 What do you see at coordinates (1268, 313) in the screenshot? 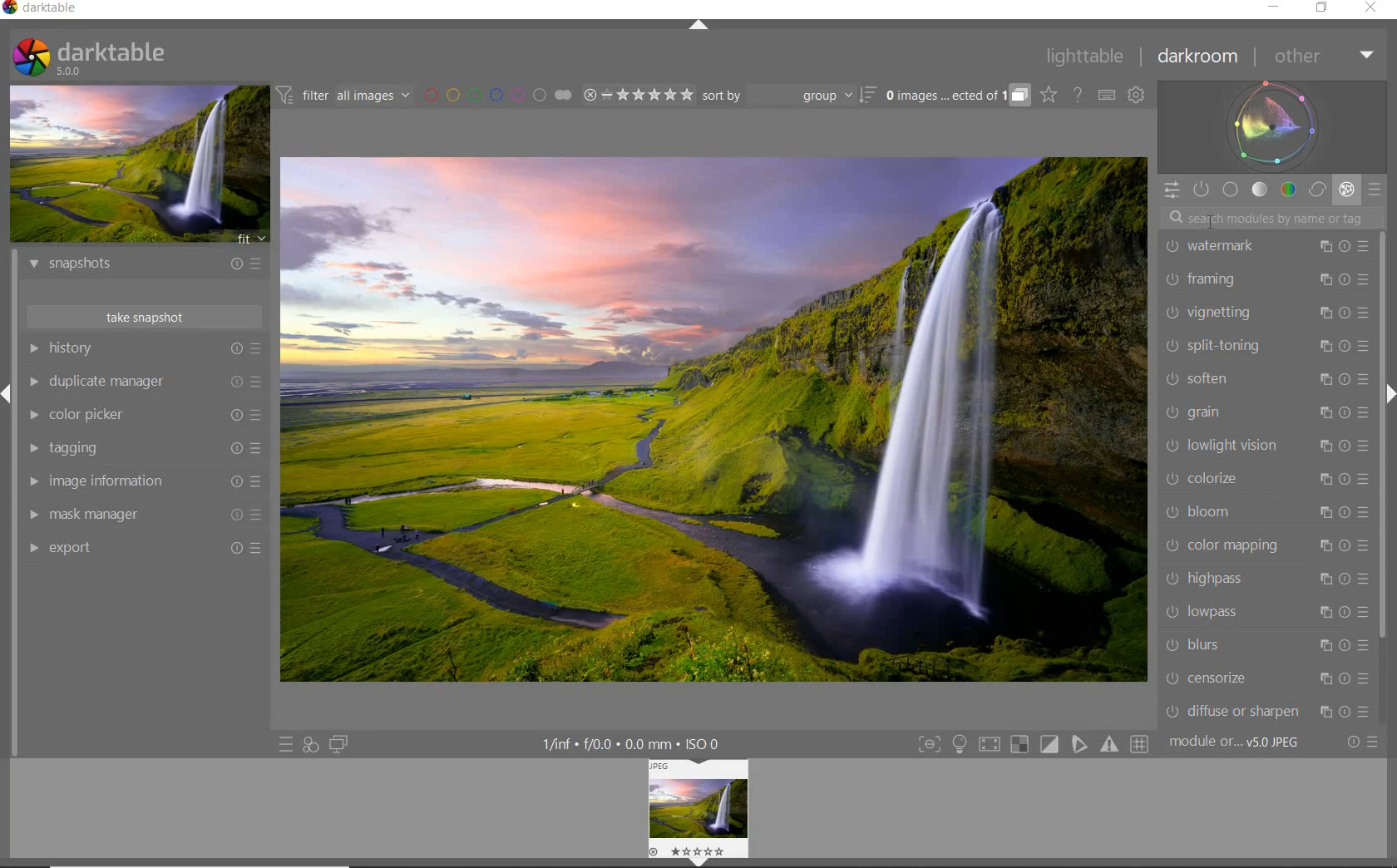
I see `vignetting` at bounding box center [1268, 313].